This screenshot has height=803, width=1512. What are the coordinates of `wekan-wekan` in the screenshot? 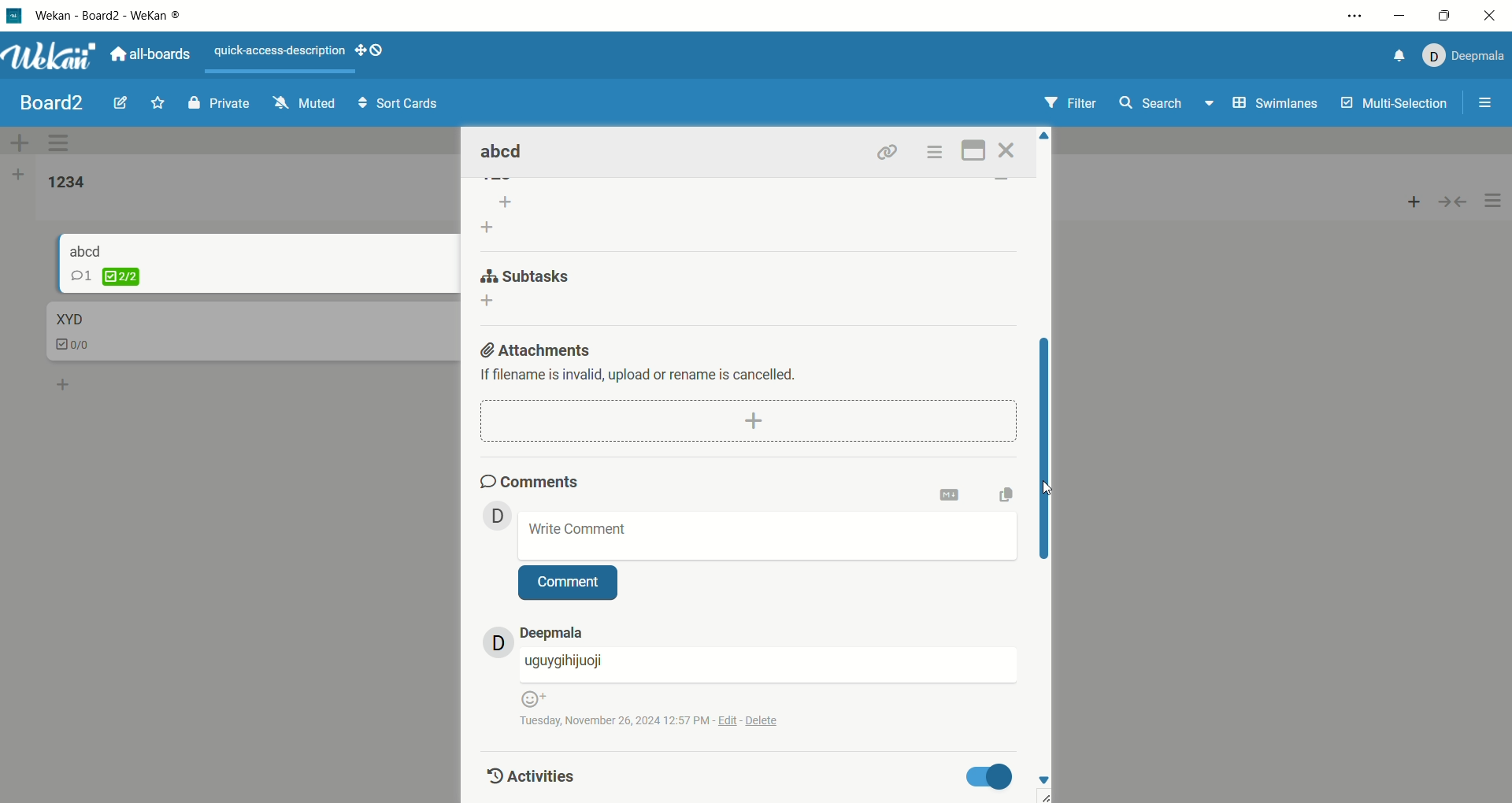 It's located at (108, 17).